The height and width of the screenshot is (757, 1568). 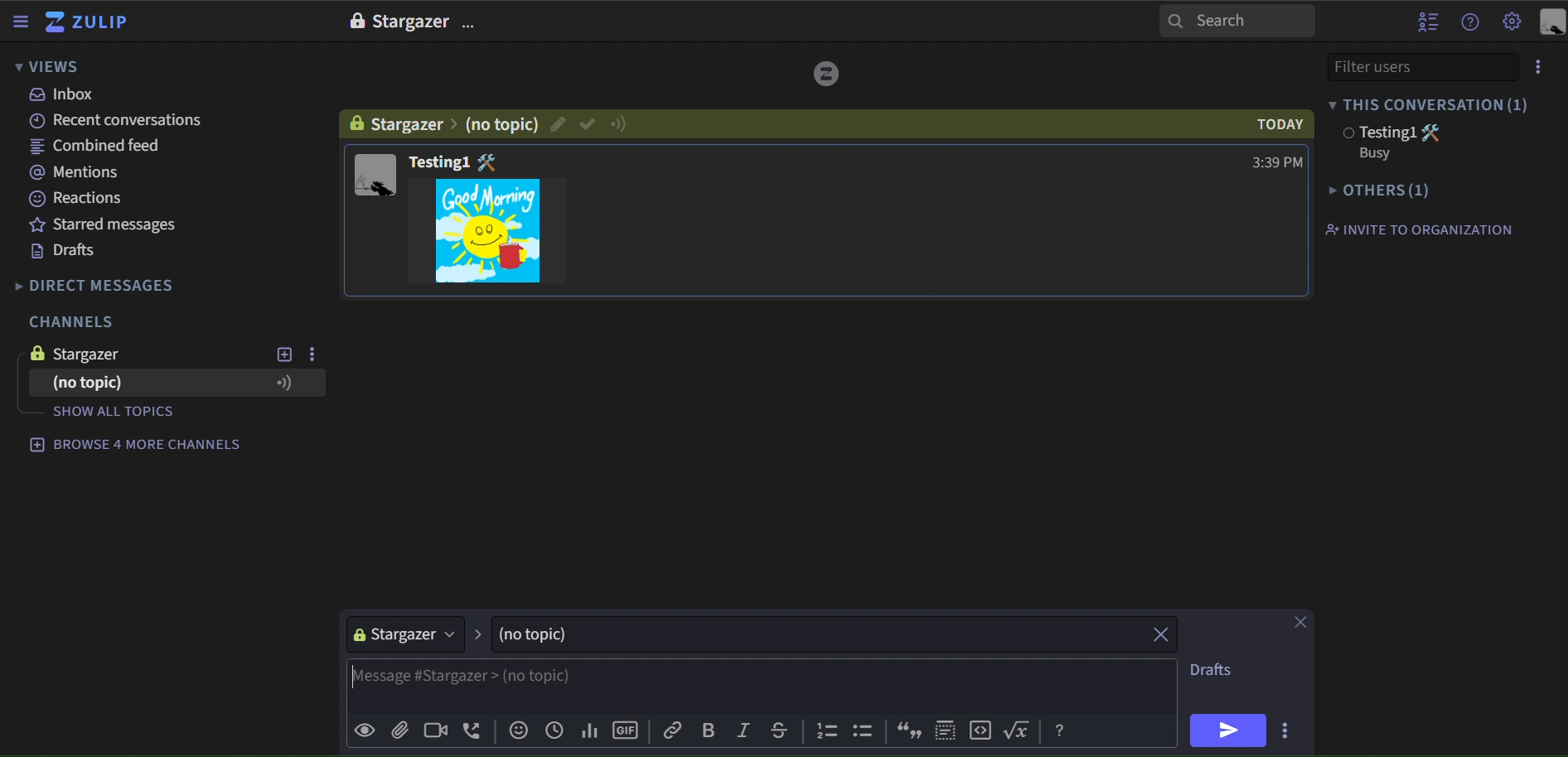 What do you see at coordinates (1289, 728) in the screenshot?
I see `more options` at bounding box center [1289, 728].